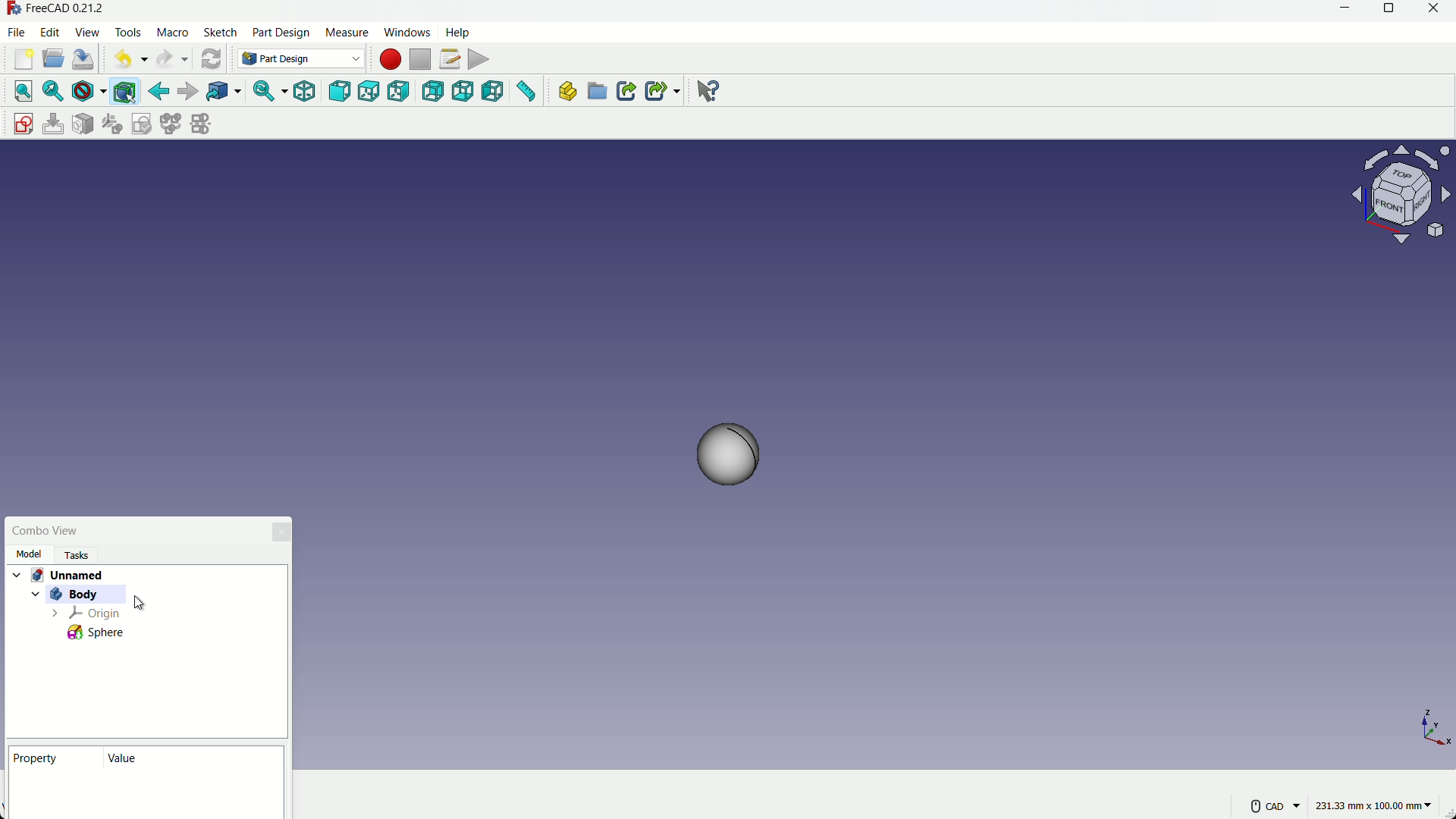 This screenshot has height=819, width=1456. Describe the element at coordinates (596, 93) in the screenshot. I see `create group` at that location.